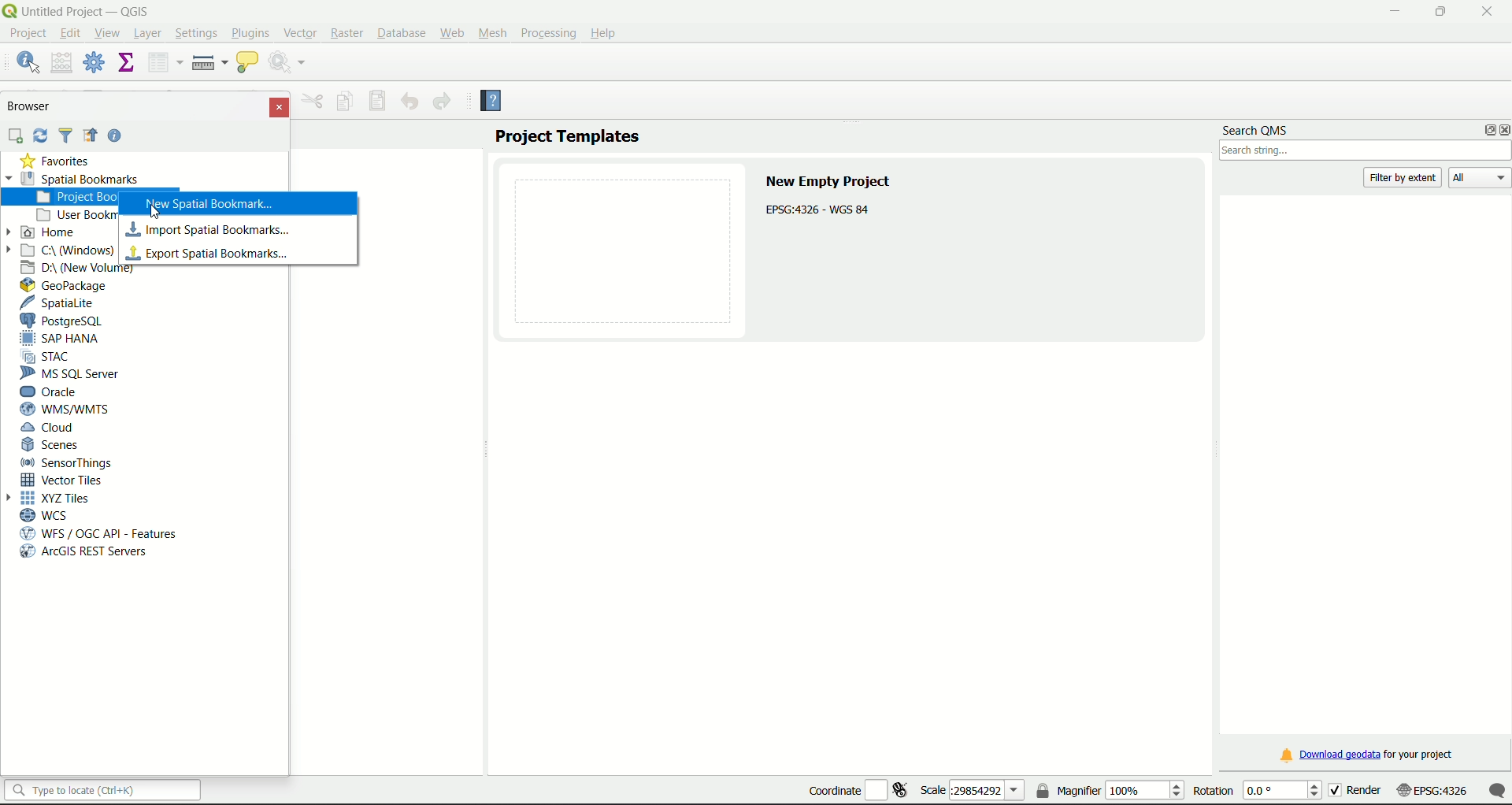 Image resolution: width=1512 pixels, height=805 pixels. I want to click on open attribute table, so click(163, 63).